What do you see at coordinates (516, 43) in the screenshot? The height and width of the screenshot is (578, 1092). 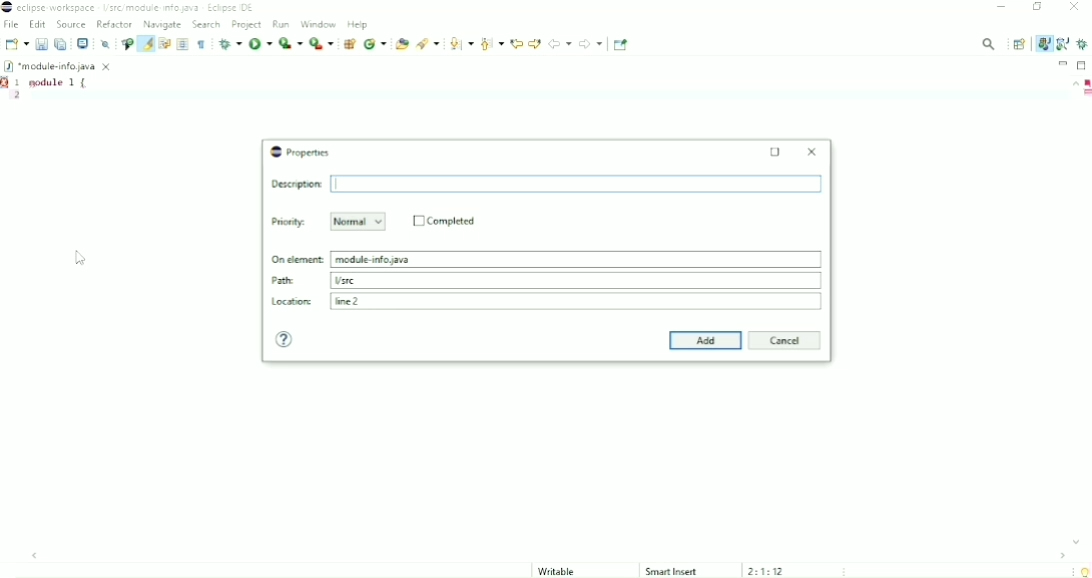 I see `Previous edit location` at bounding box center [516, 43].